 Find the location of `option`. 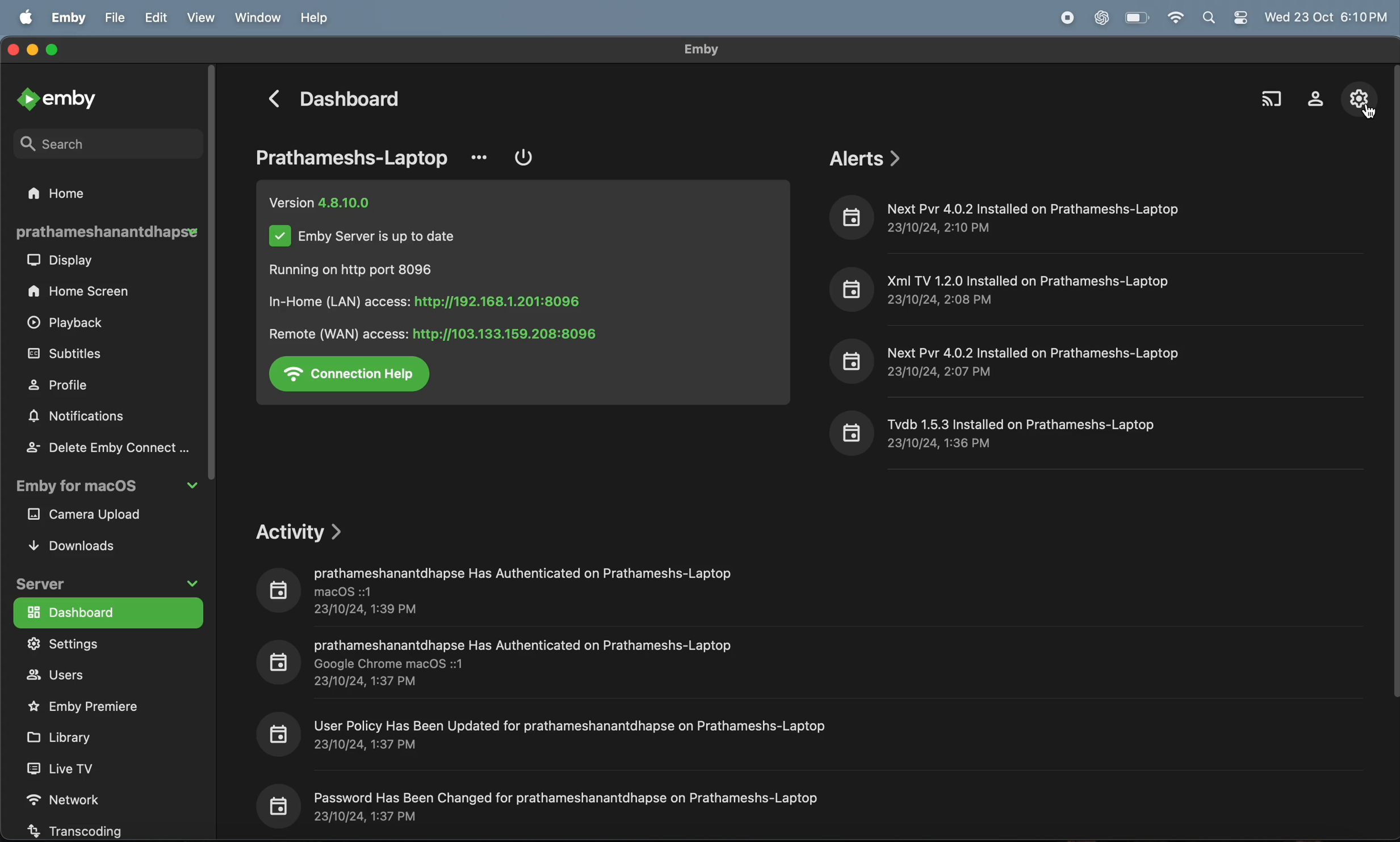

option is located at coordinates (480, 152).